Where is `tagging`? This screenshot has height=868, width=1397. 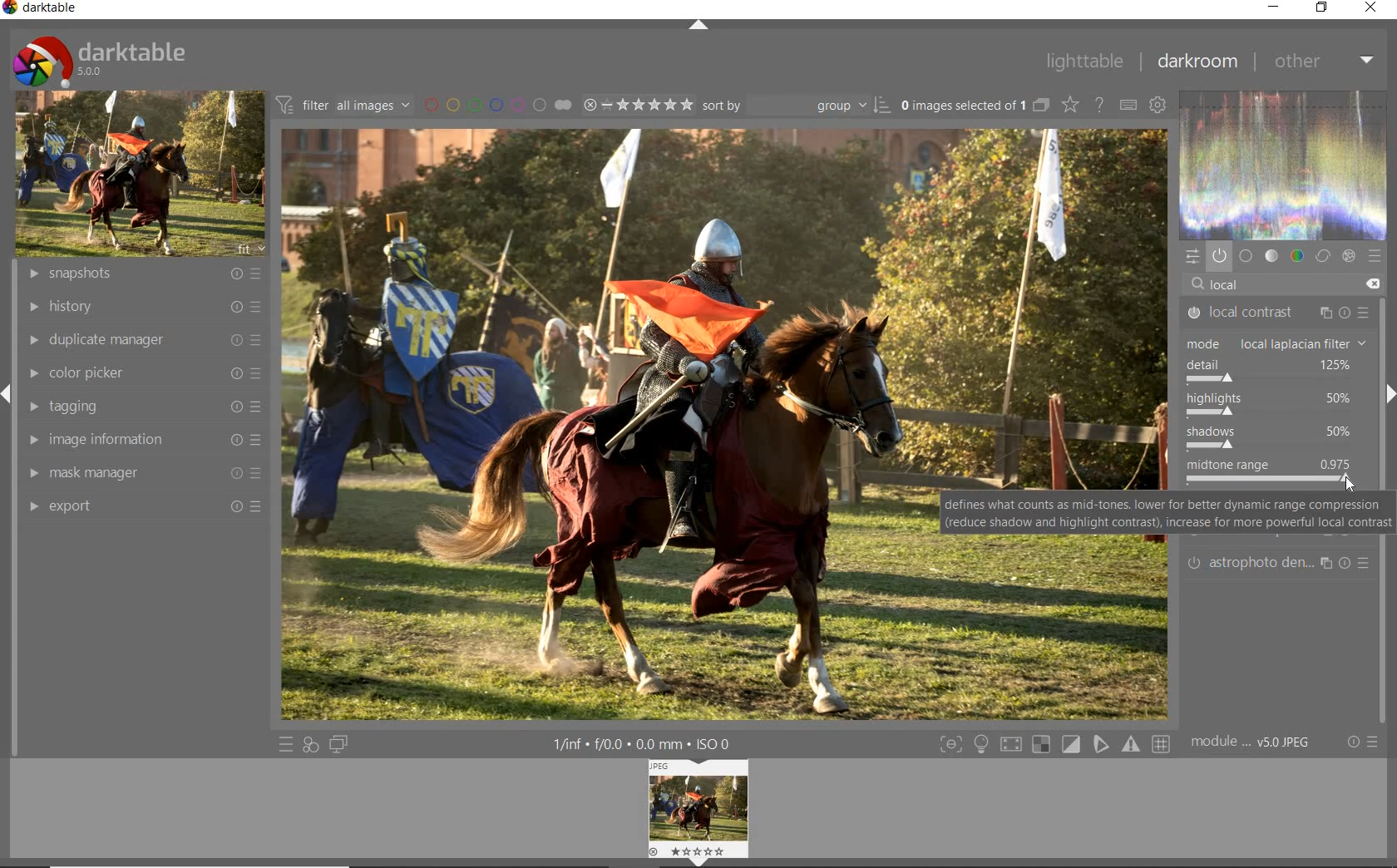
tagging is located at coordinates (141, 407).